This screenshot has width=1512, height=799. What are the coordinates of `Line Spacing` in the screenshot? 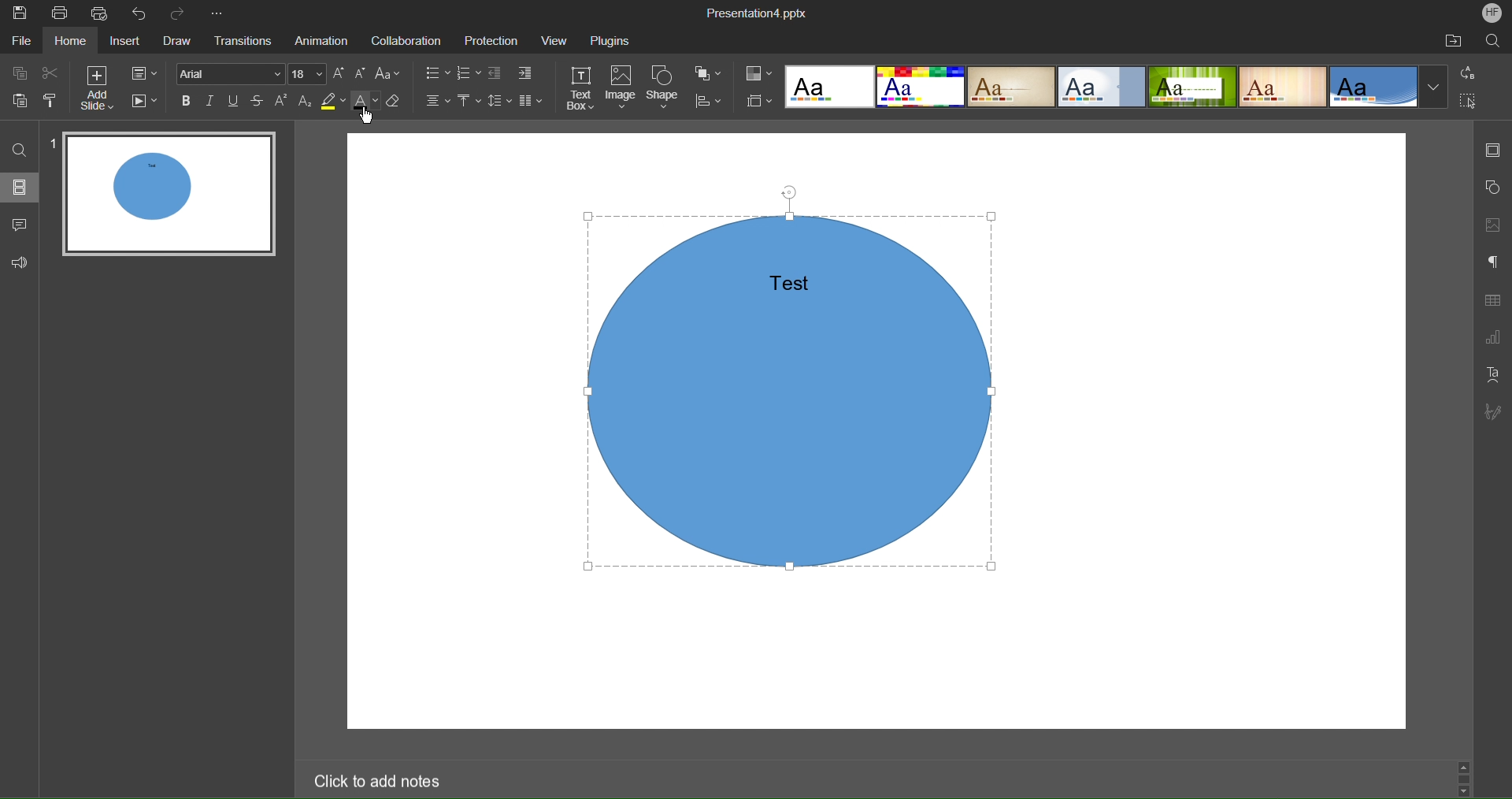 It's located at (501, 102).